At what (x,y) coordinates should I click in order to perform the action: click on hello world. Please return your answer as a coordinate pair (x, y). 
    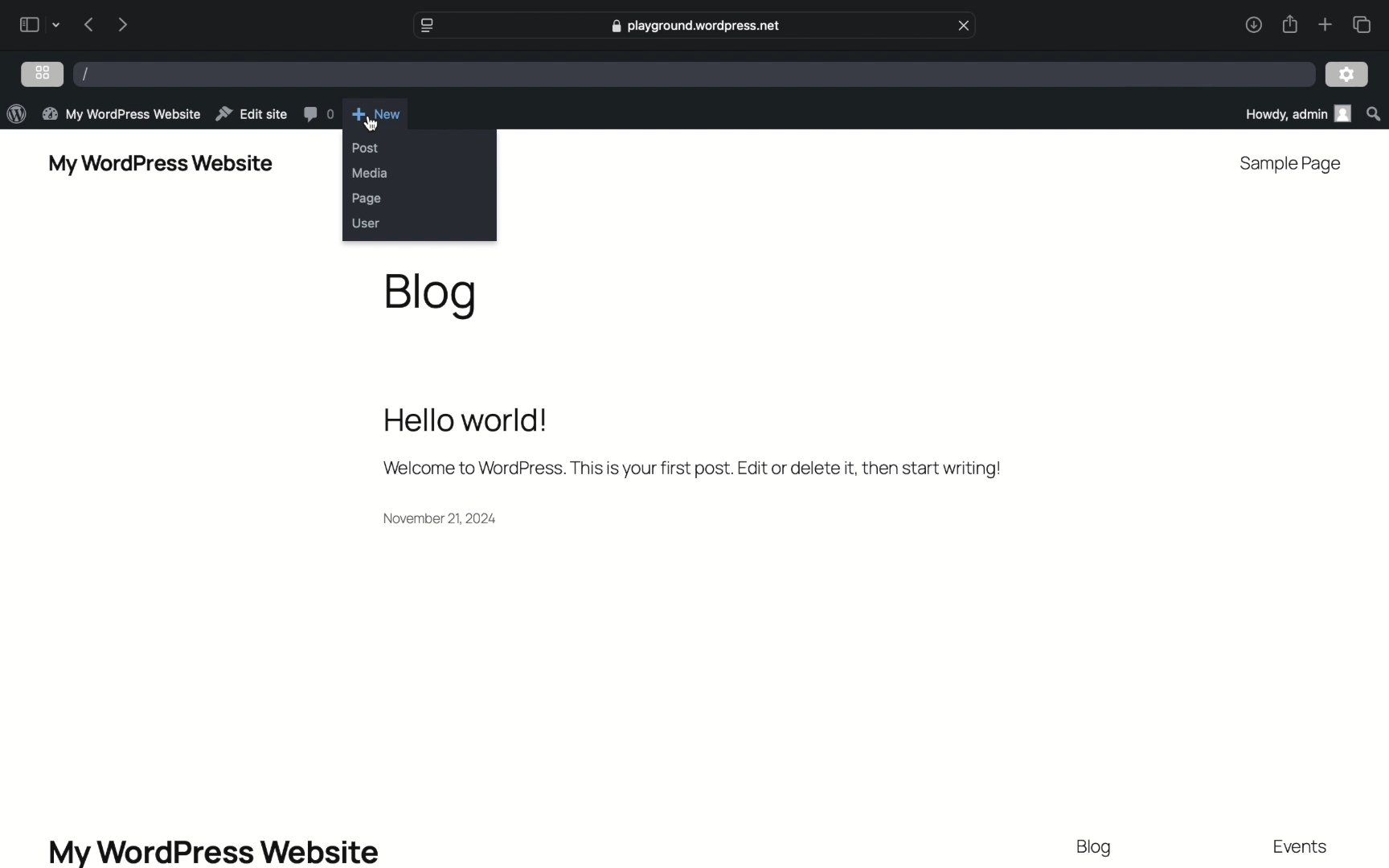
    Looking at the image, I should click on (465, 420).